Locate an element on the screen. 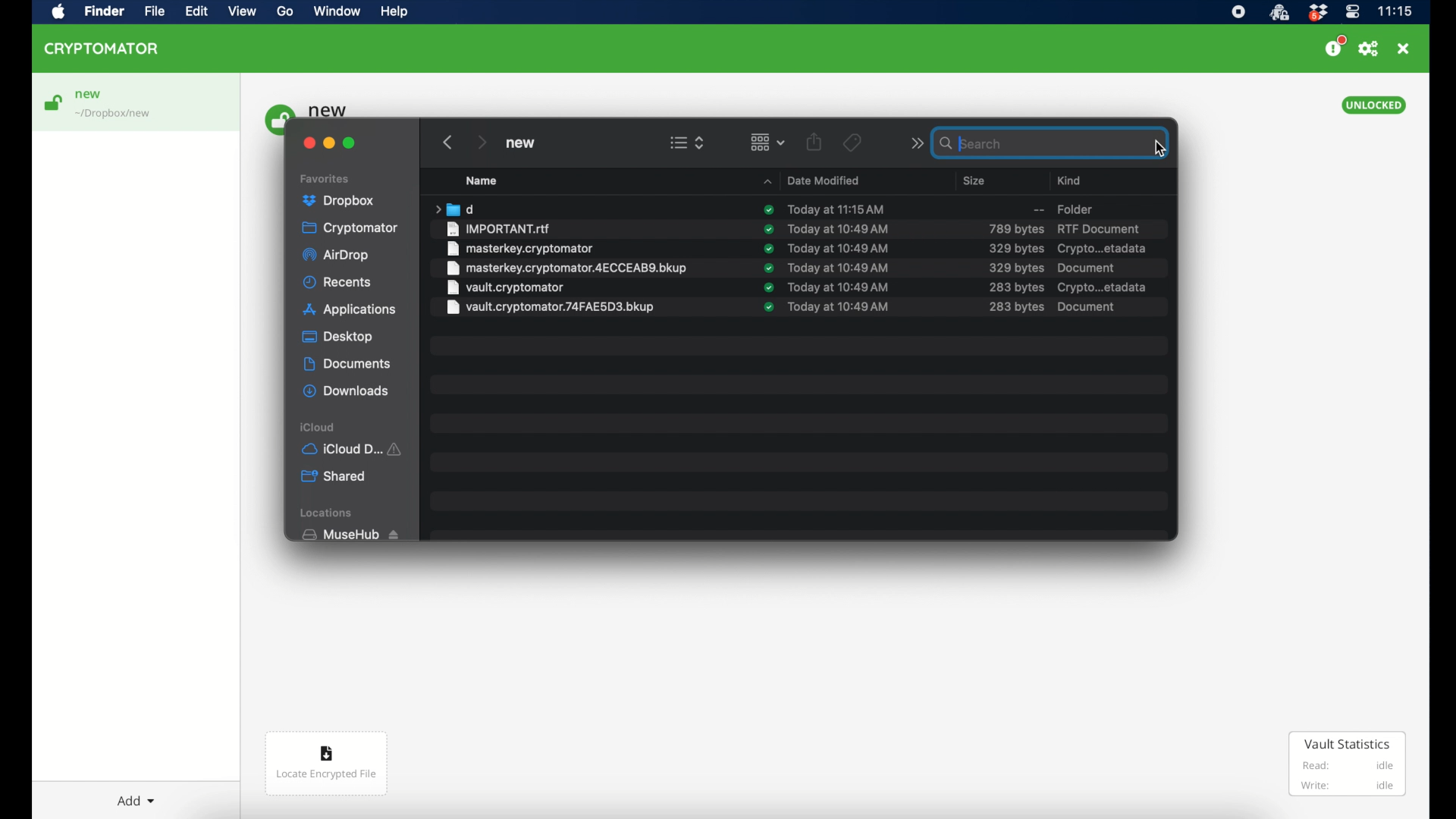 The width and height of the screenshot is (1456, 819). edit is located at coordinates (196, 11).